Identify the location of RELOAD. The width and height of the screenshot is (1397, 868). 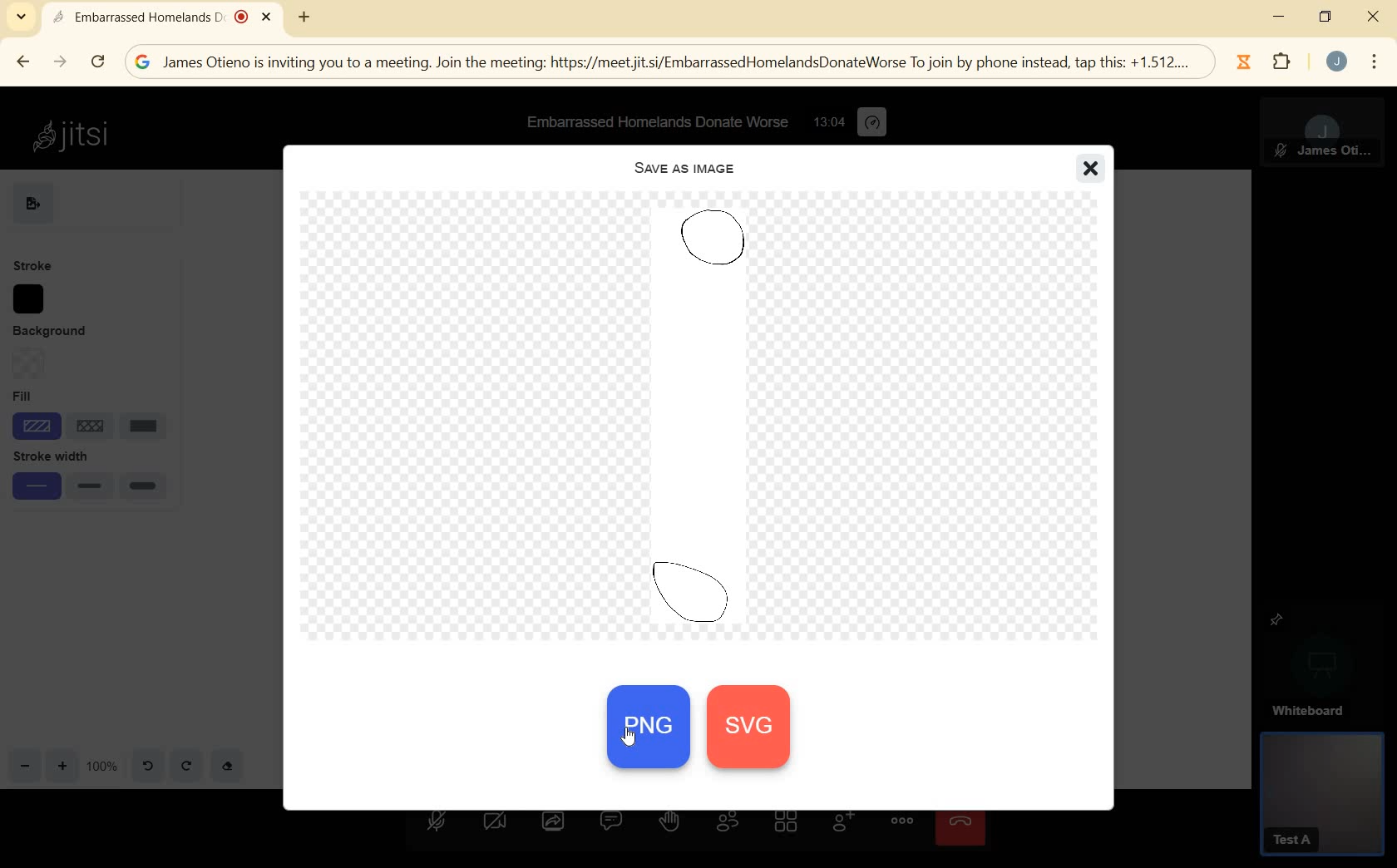
(97, 62).